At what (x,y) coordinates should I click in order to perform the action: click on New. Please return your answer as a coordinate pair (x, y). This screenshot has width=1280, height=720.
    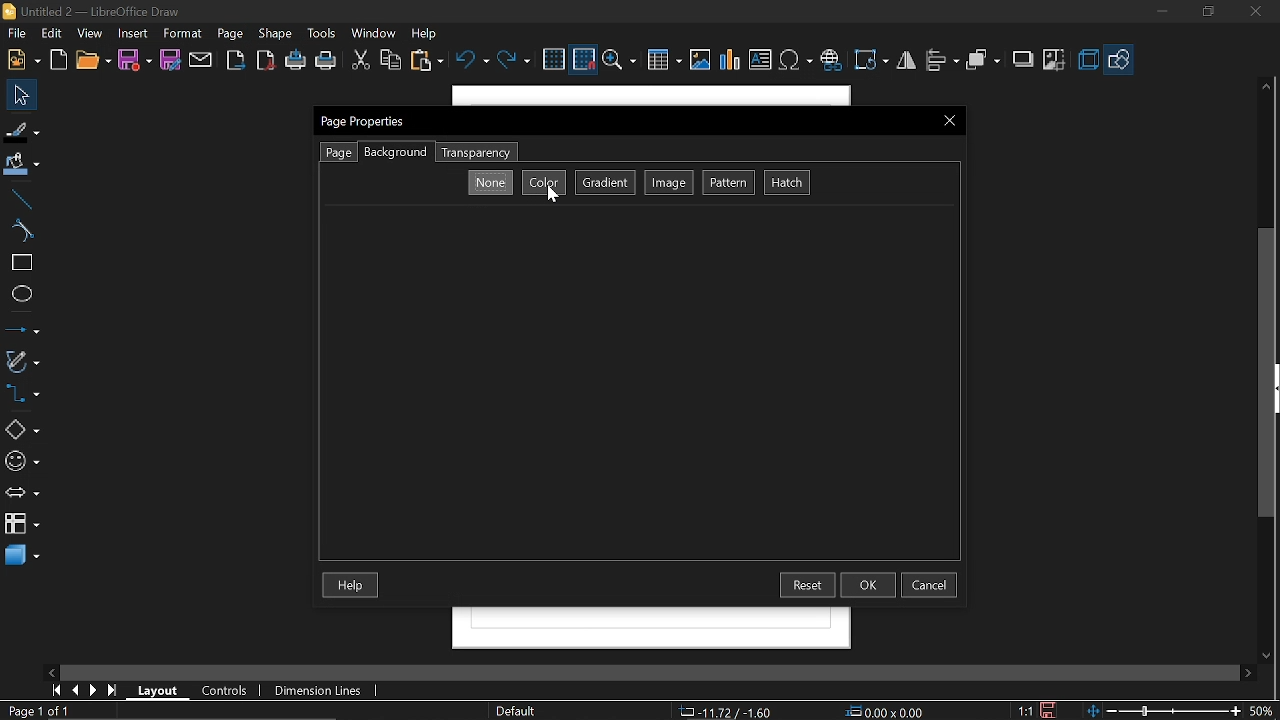
    Looking at the image, I should click on (24, 60).